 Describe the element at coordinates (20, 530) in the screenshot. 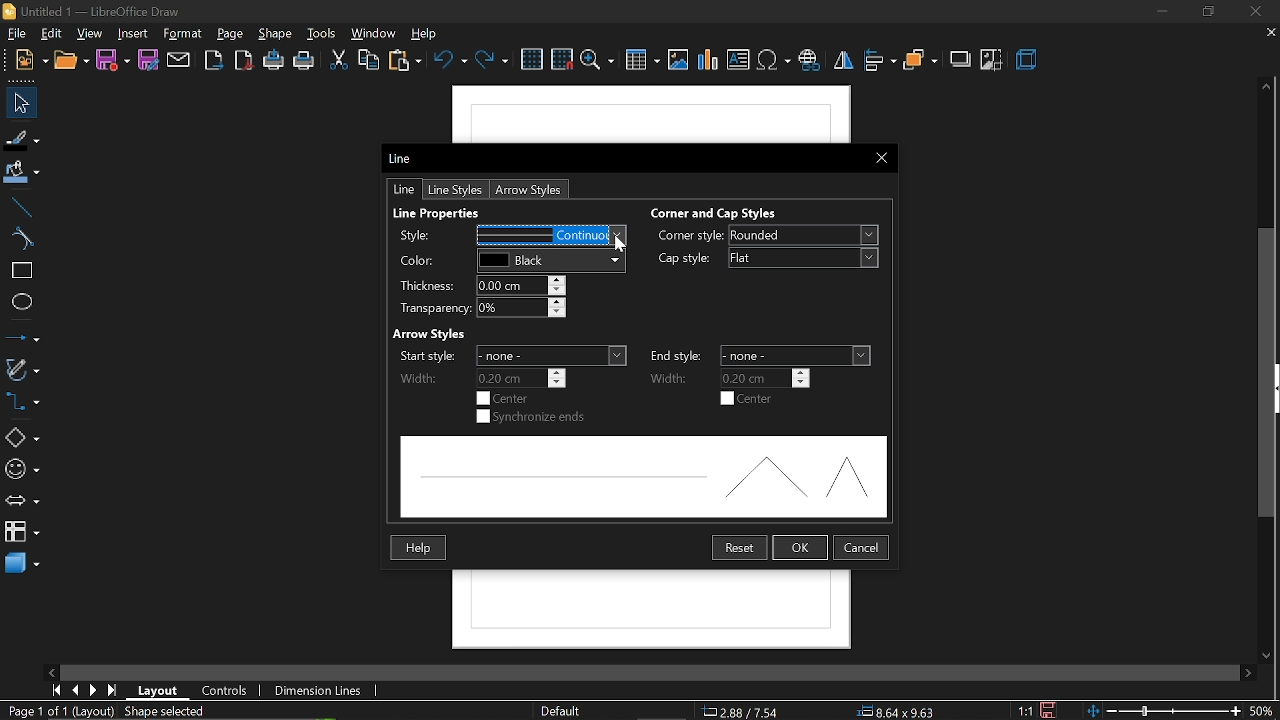

I see `flowchart` at that location.